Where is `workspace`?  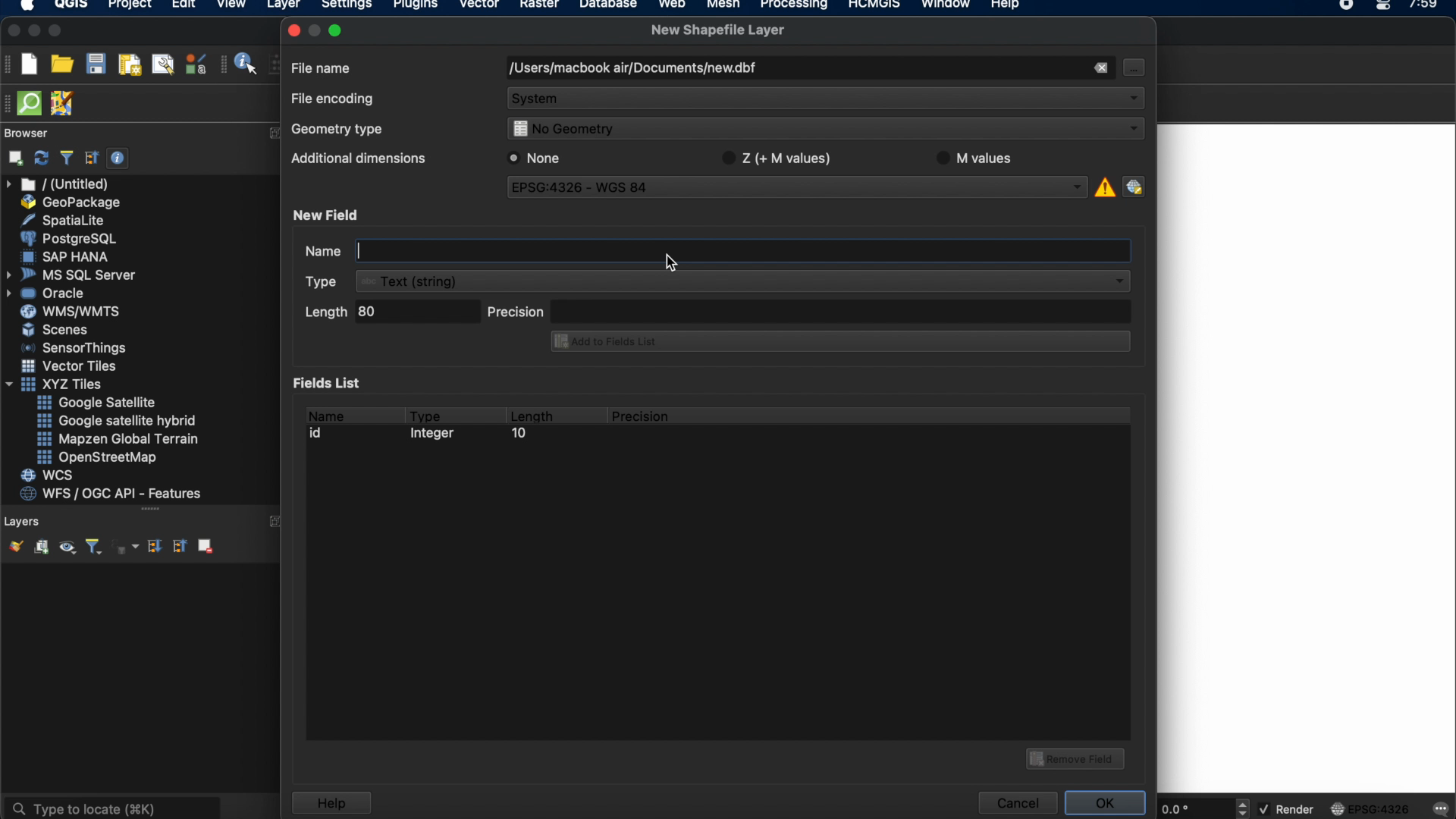
workspace is located at coordinates (1307, 460).